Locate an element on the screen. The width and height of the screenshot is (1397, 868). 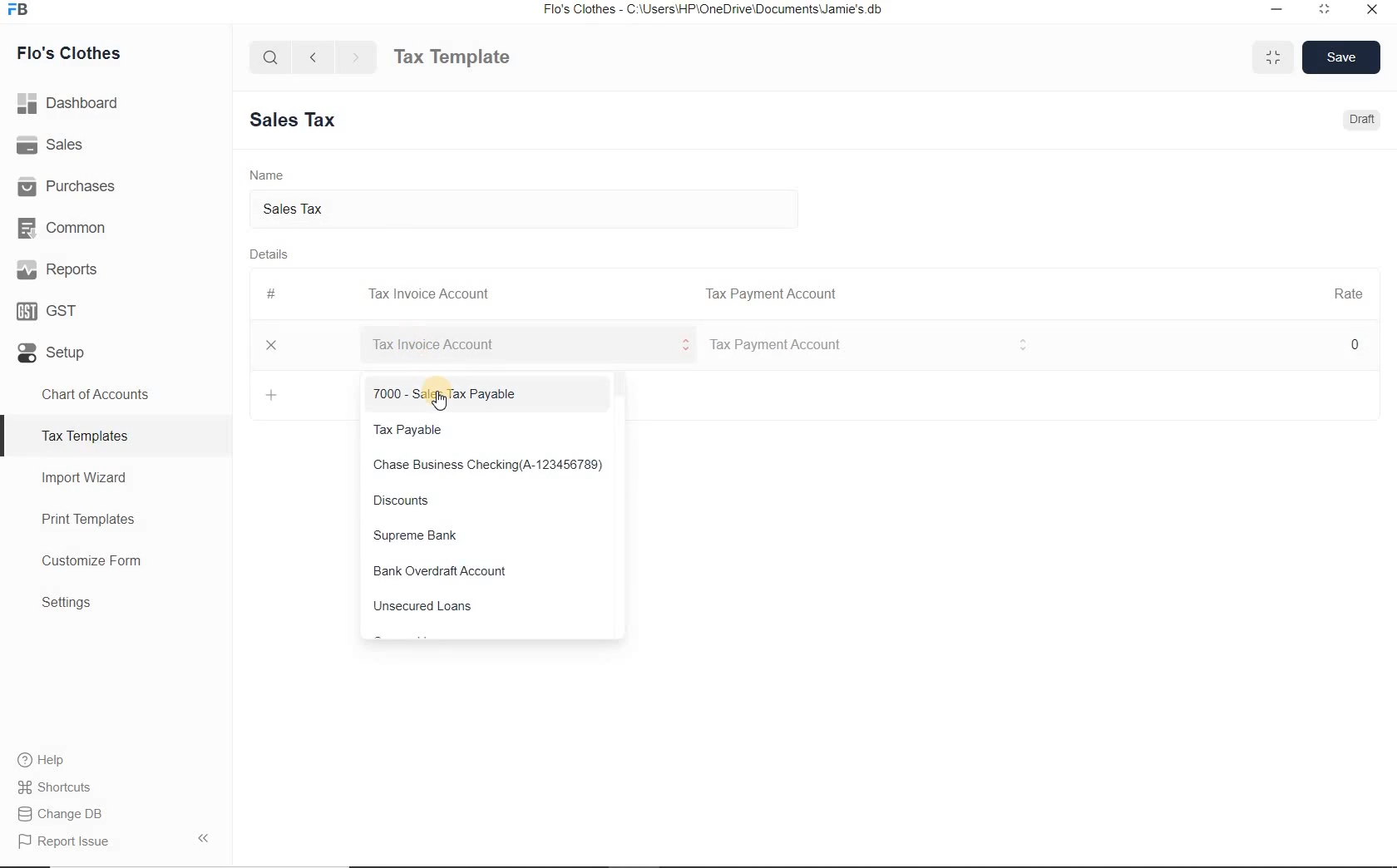
Print Templates is located at coordinates (116, 519).